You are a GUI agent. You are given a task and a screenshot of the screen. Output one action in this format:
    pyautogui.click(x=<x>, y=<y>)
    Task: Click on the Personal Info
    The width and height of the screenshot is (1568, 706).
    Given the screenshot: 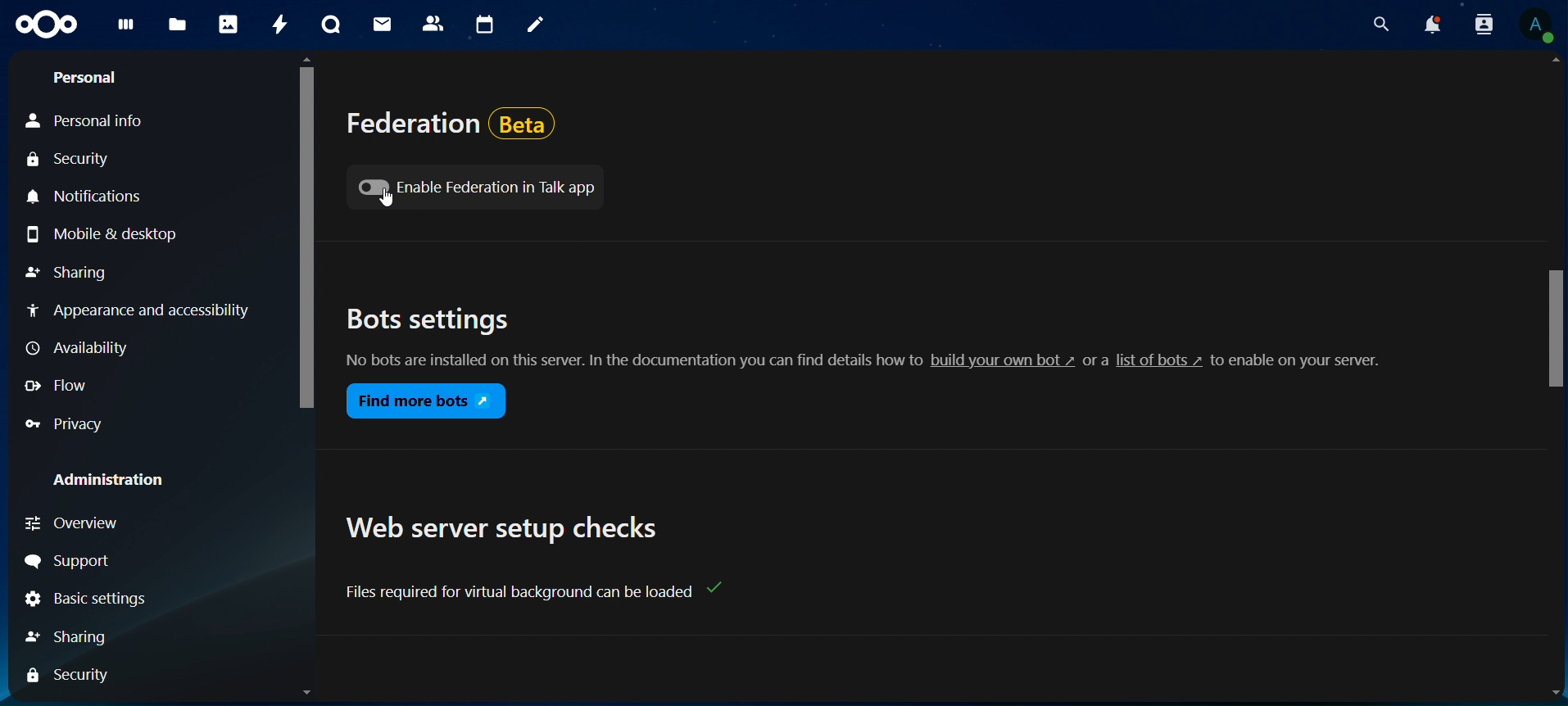 What is the action you would take?
    pyautogui.click(x=81, y=122)
    